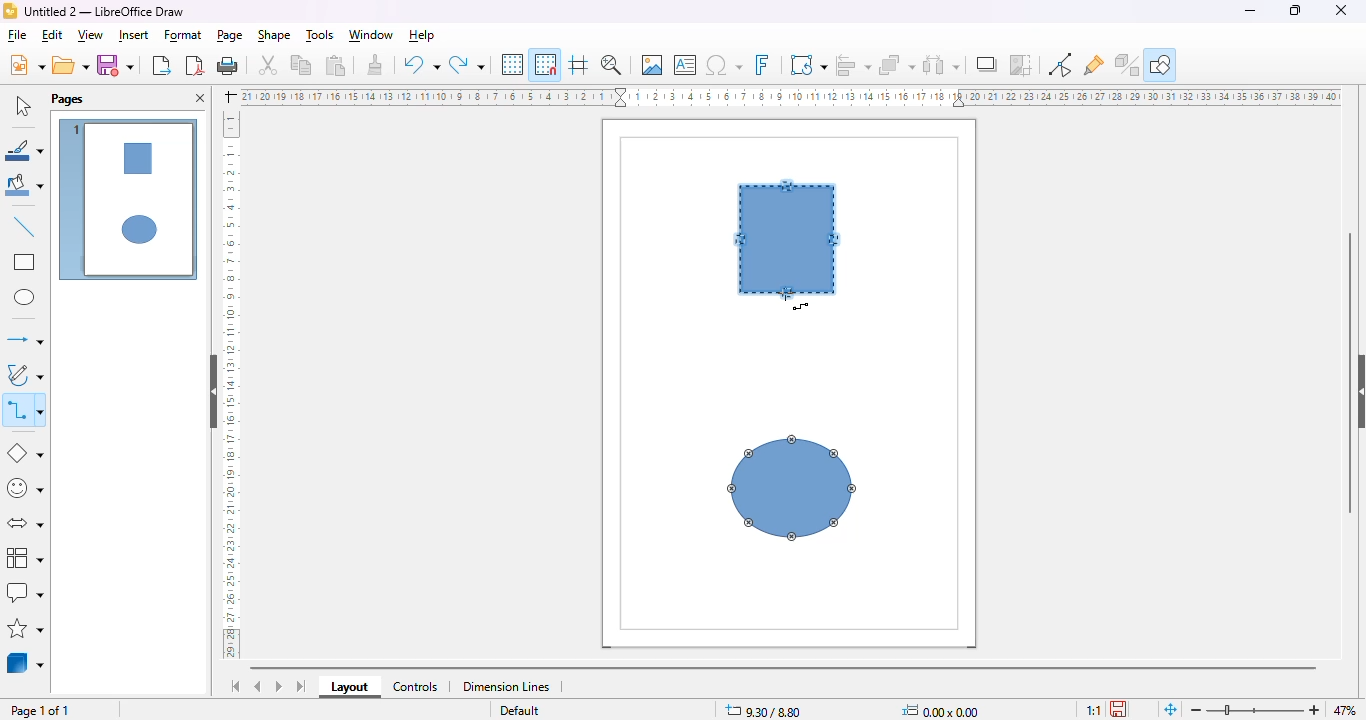 This screenshot has width=1366, height=720. I want to click on zoom factor, so click(1345, 710).